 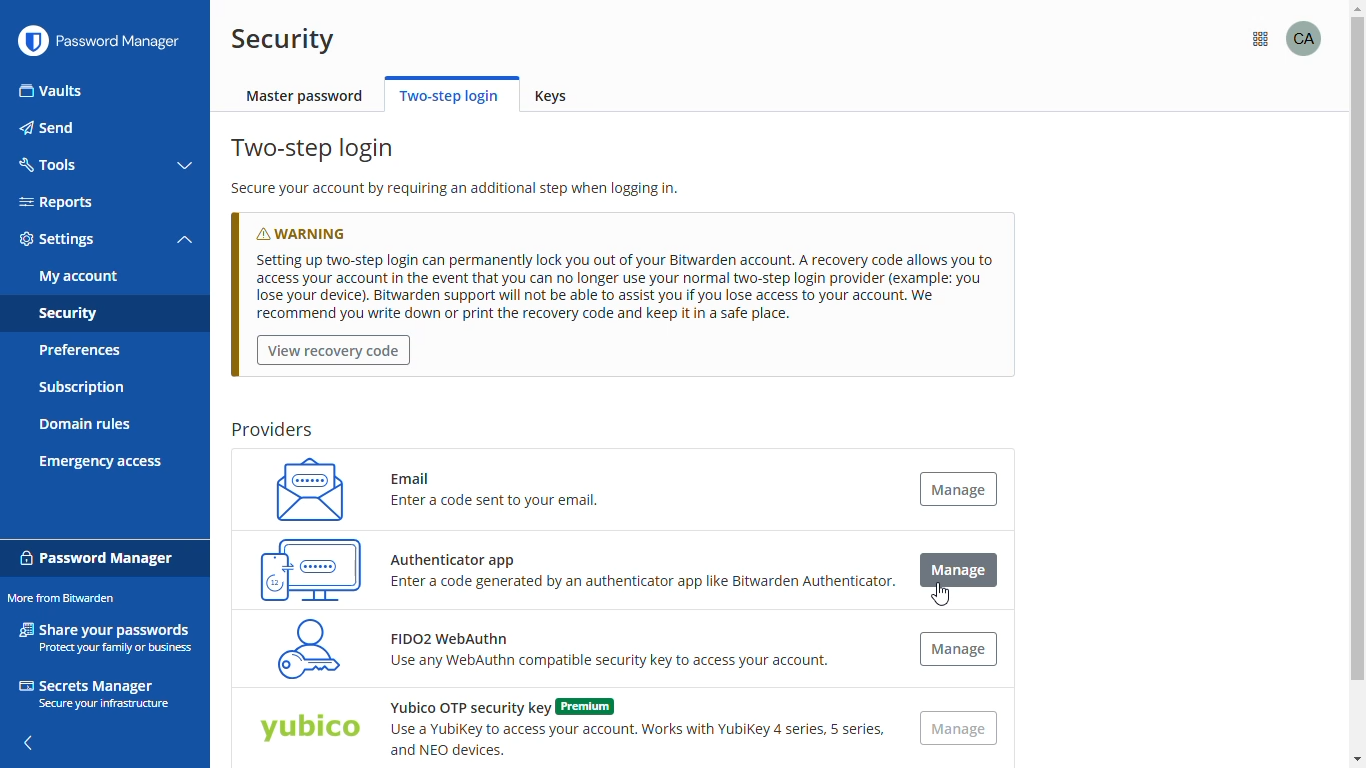 What do you see at coordinates (334, 351) in the screenshot?
I see `view recovery code` at bounding box center [334, 351].